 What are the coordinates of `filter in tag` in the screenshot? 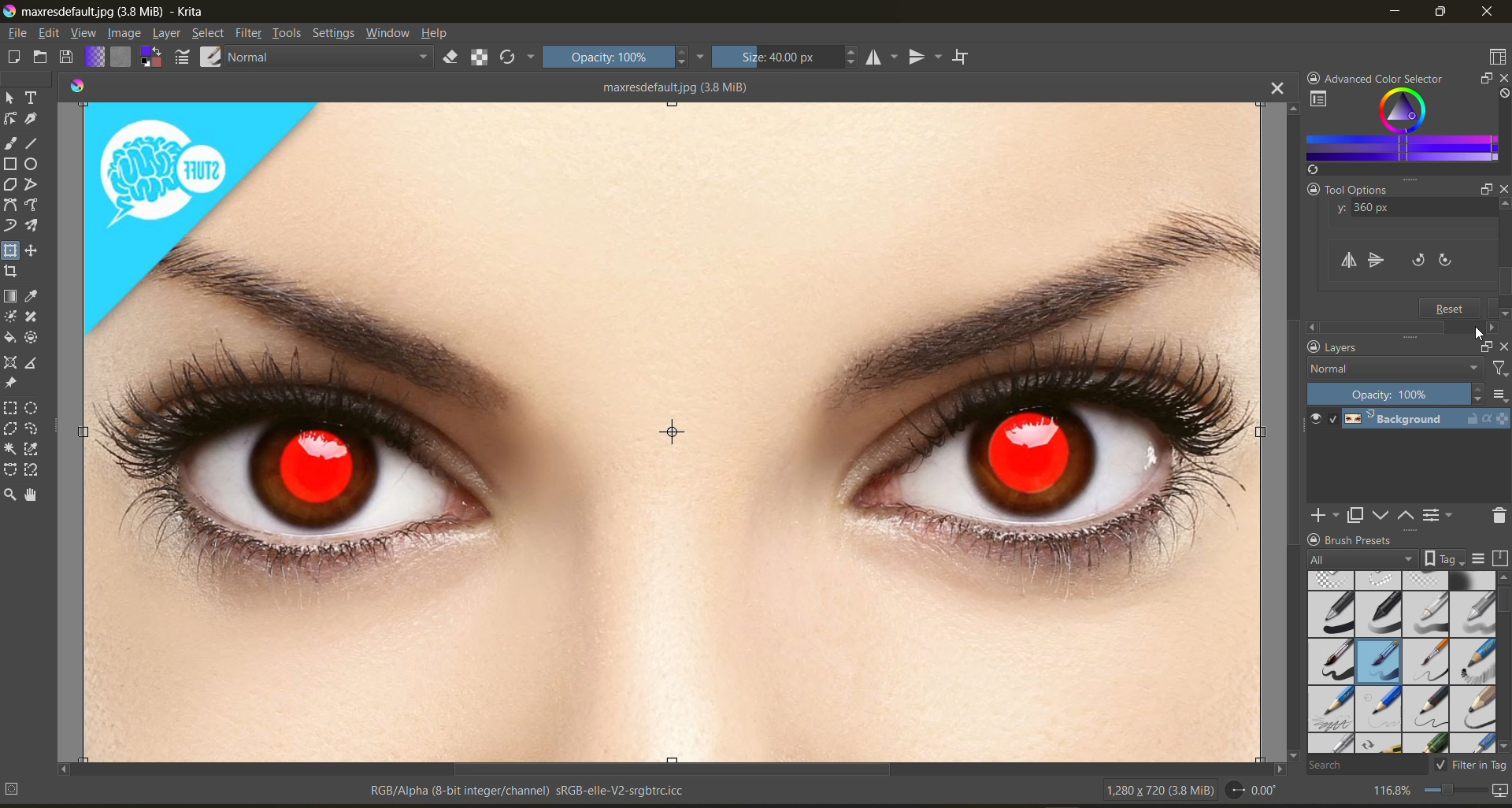 It's located at (1473, 766).